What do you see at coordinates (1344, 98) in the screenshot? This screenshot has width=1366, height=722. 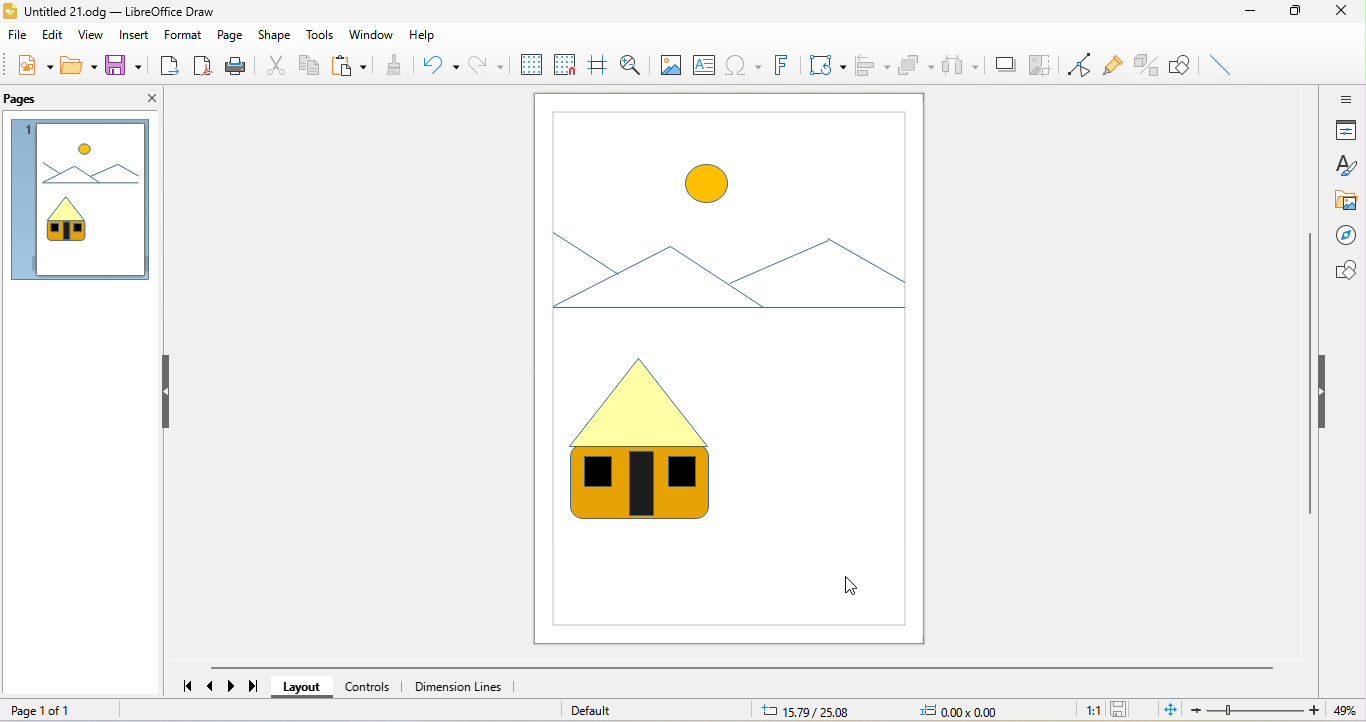 I see `open/ close sidebar` at bounding box center [1344, 98].